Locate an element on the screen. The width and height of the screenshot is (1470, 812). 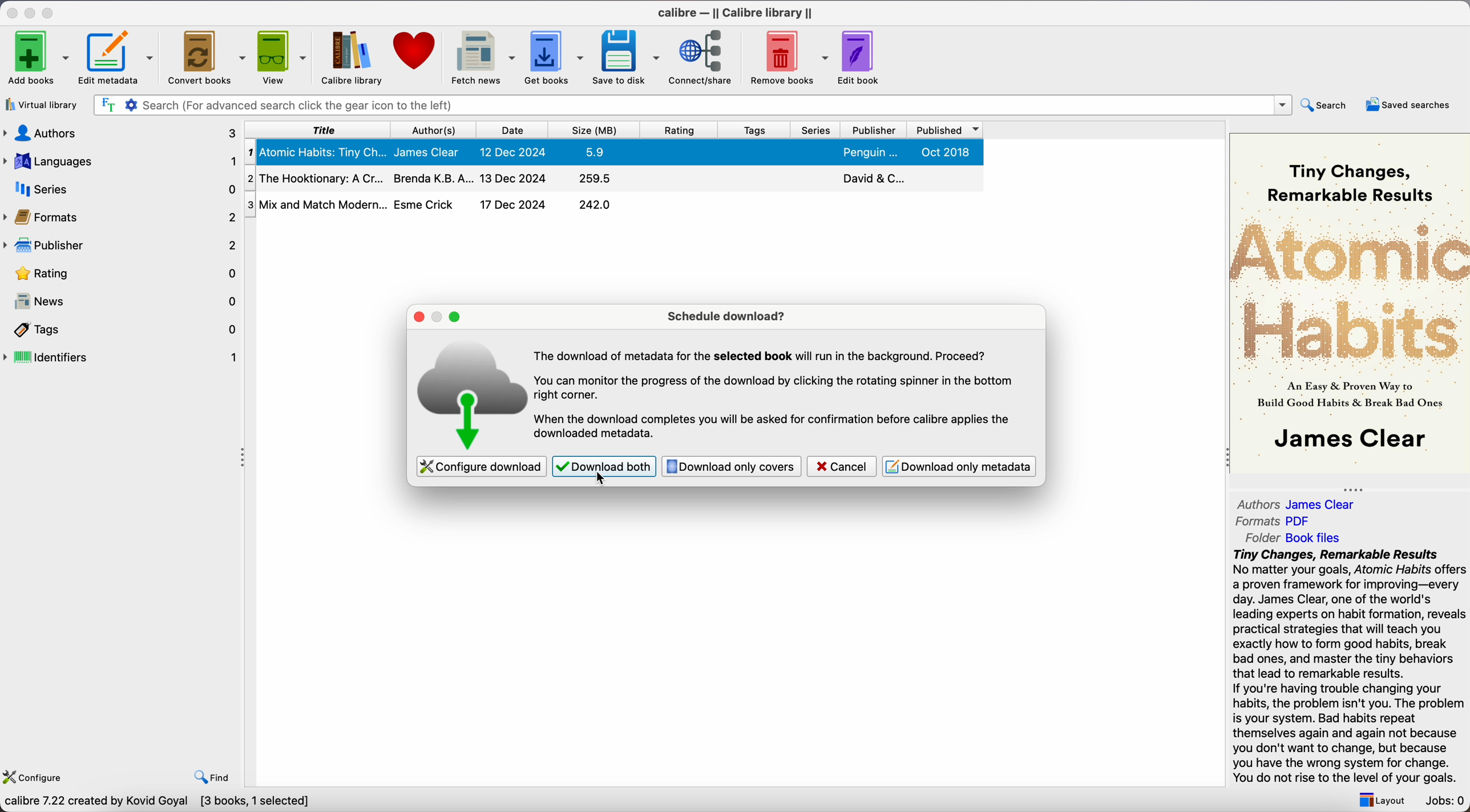
Add books is located at coordinates (37, 58).